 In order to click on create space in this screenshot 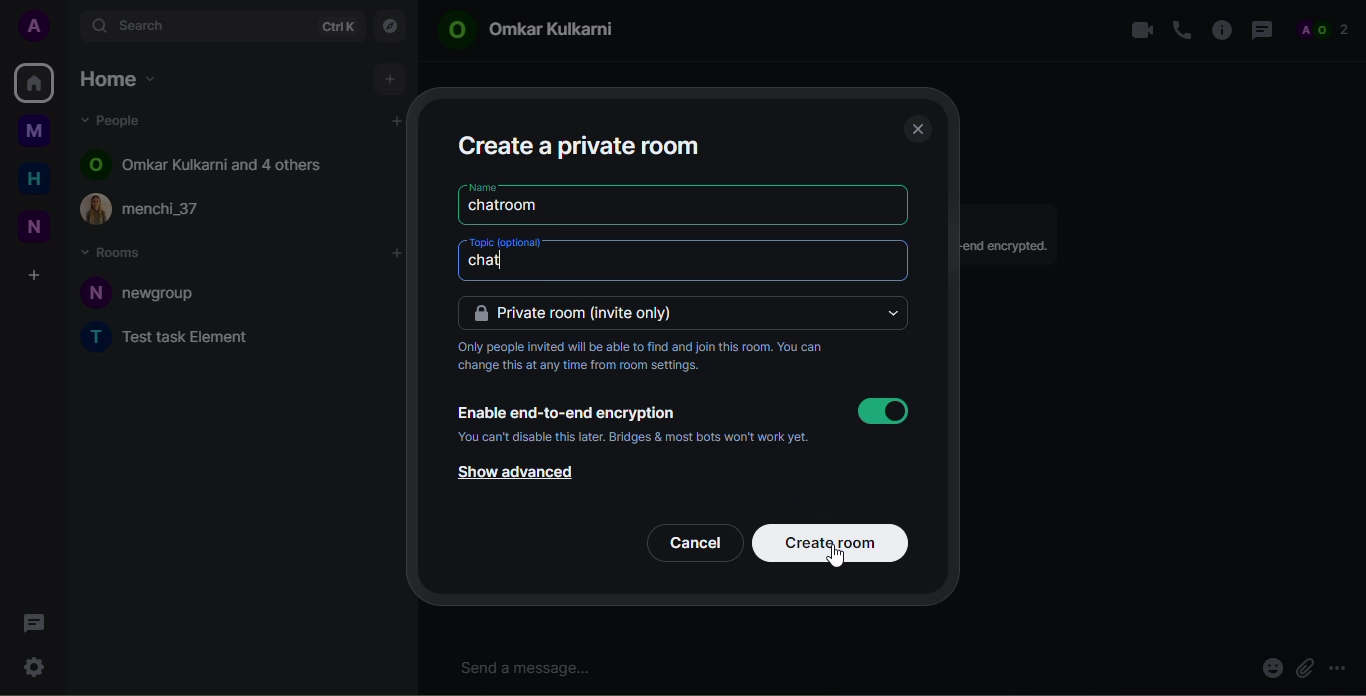, I will do `click(33, 276)`.